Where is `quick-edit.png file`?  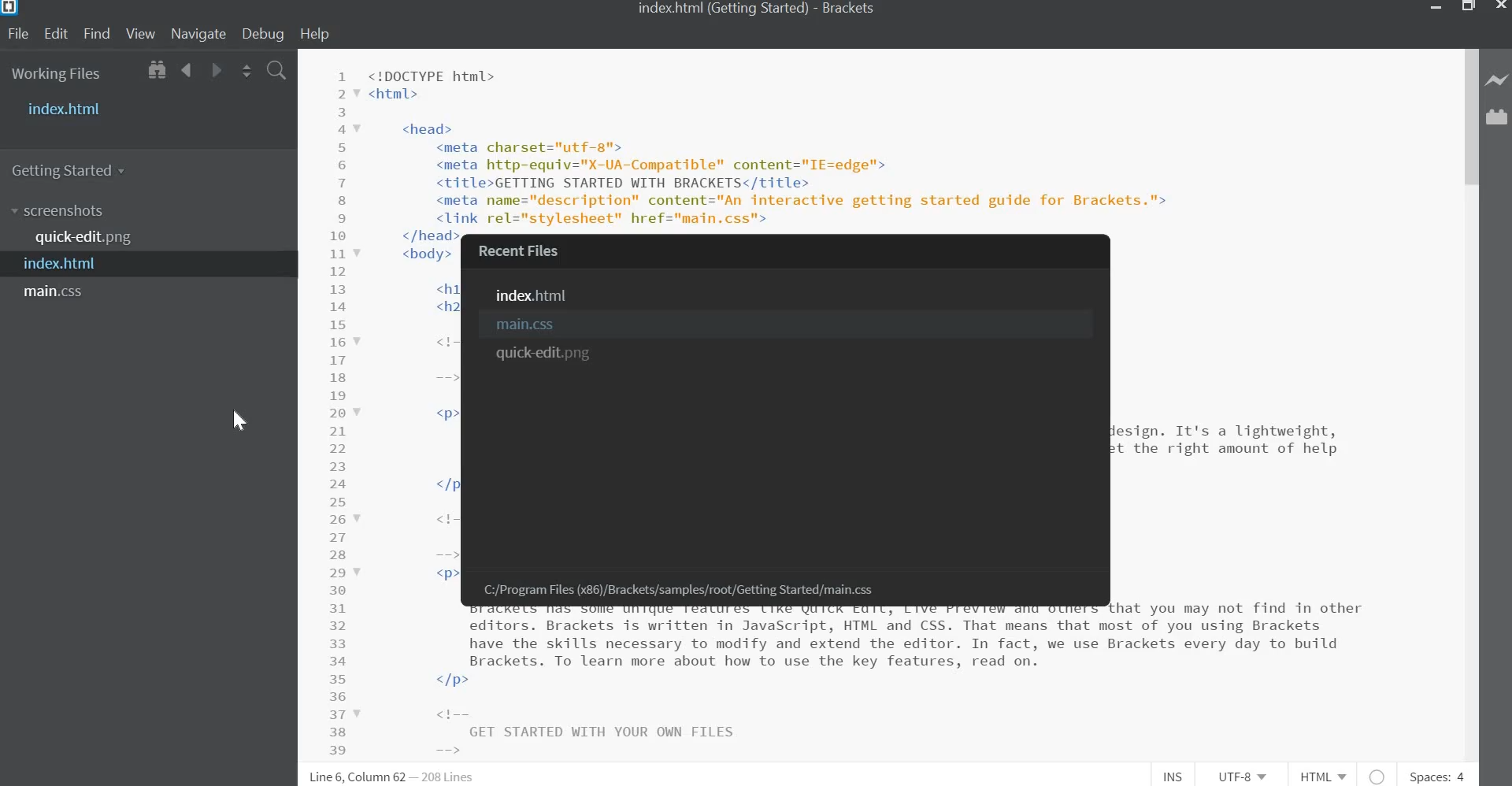
quick-edit.png file is located at coordinates (87, 238).